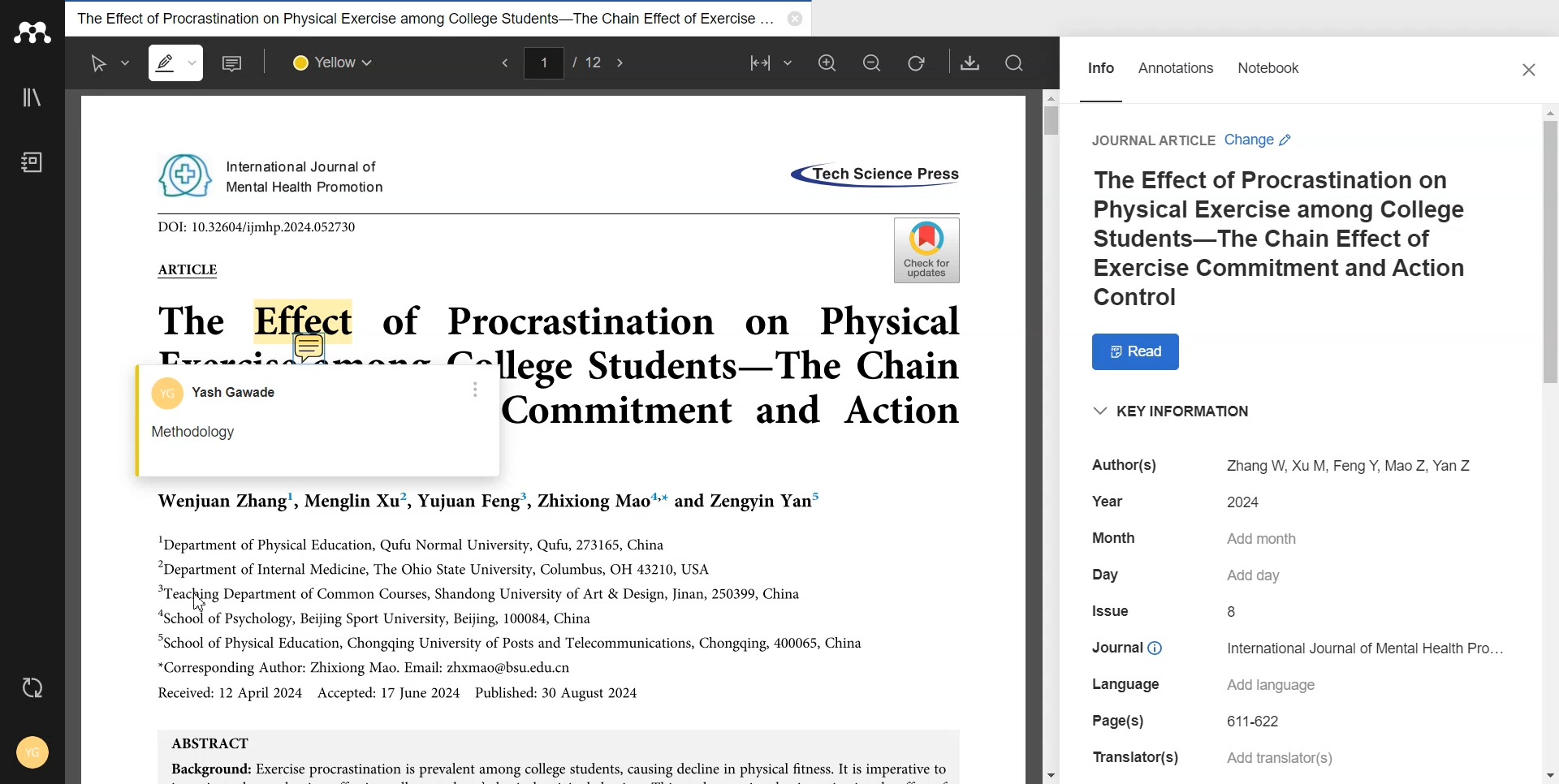  What do you see at coordinates (924, 250) in the screenshot?
I see `Check for updates` at bounding box center [924, 250].